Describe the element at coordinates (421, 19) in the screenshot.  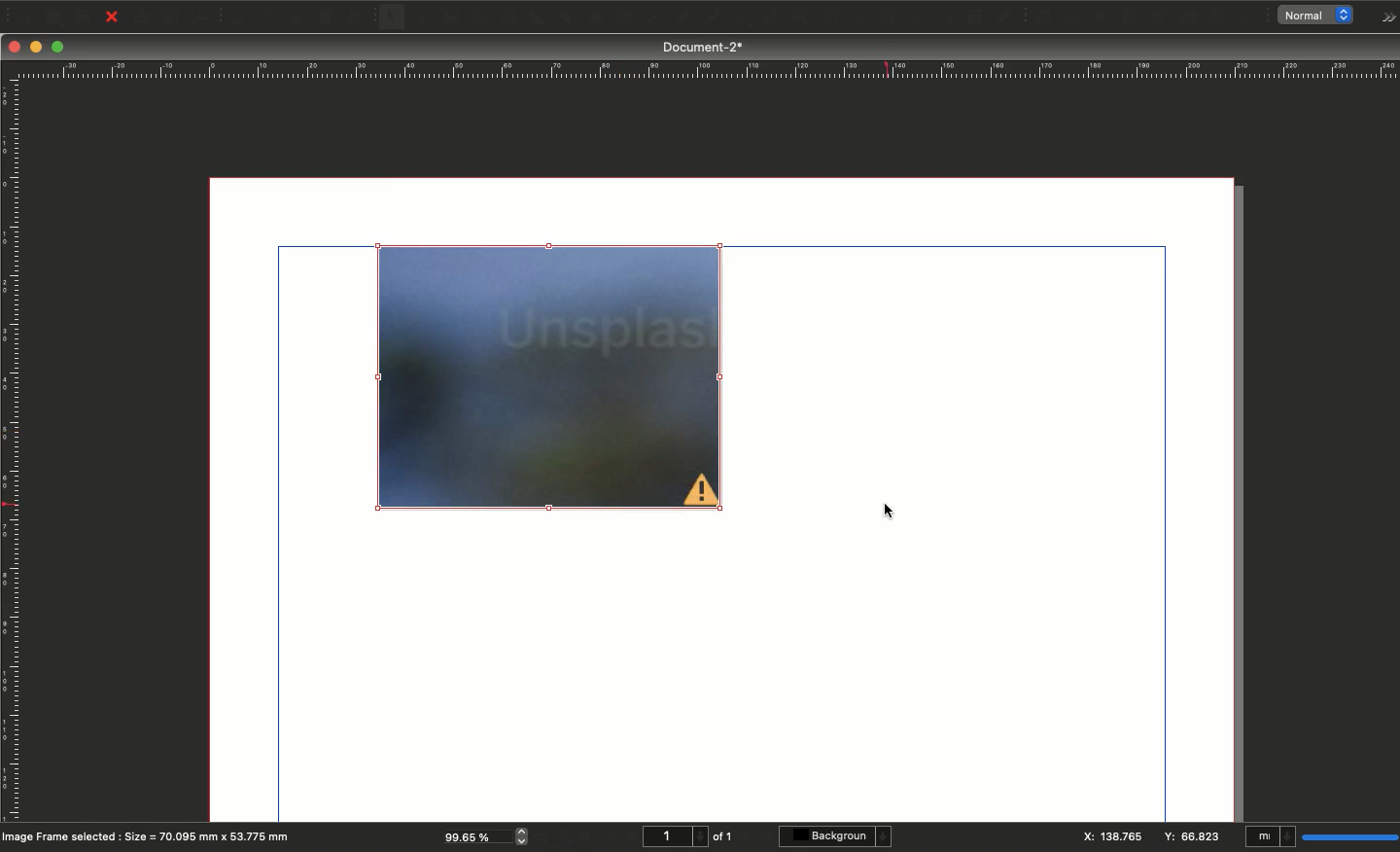
I see `Text frame` at that location.